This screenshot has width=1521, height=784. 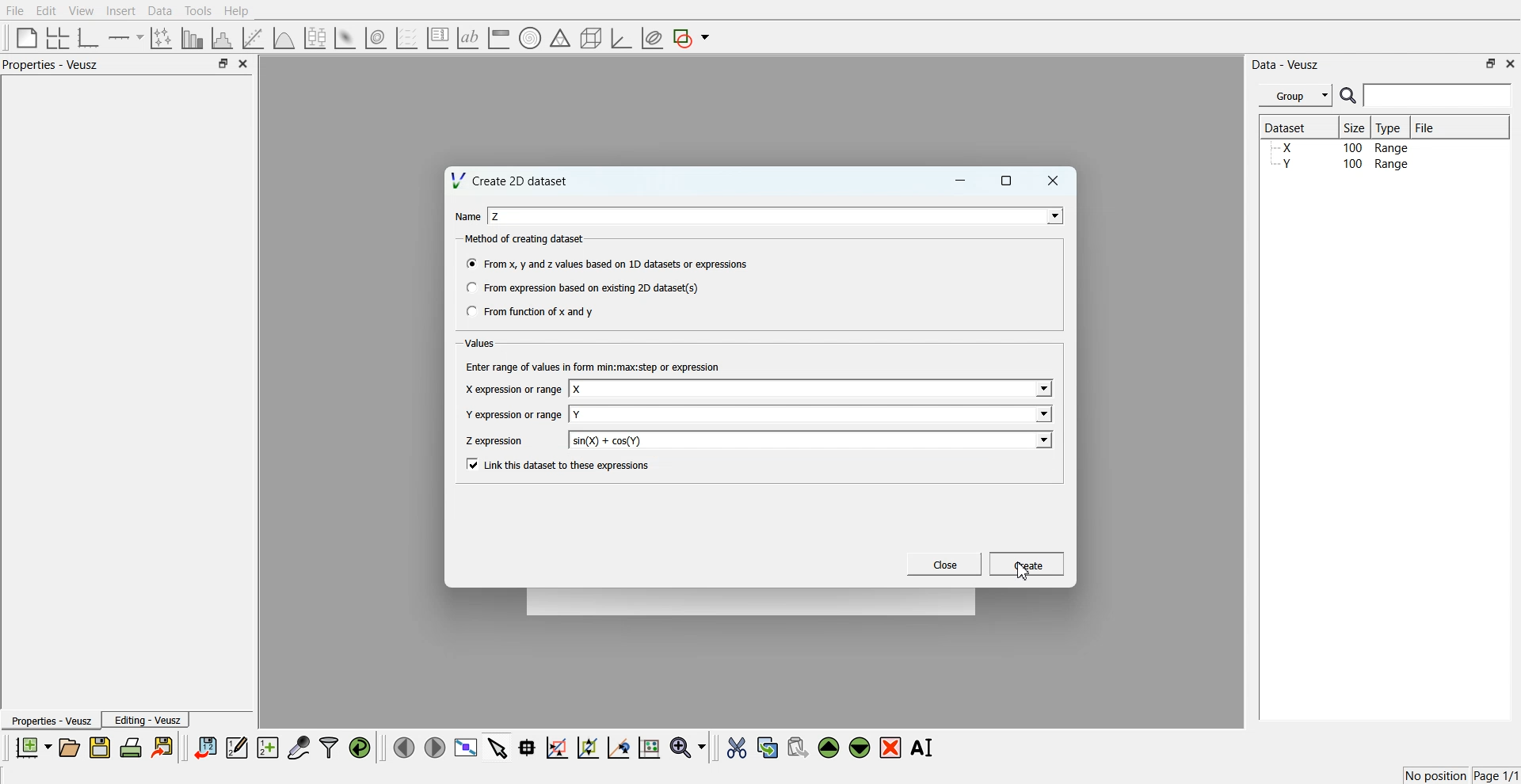 What do you see at coordinates (345, 38) in the screenshot?
I see `3D Surface` at bounding box center [345, 38].